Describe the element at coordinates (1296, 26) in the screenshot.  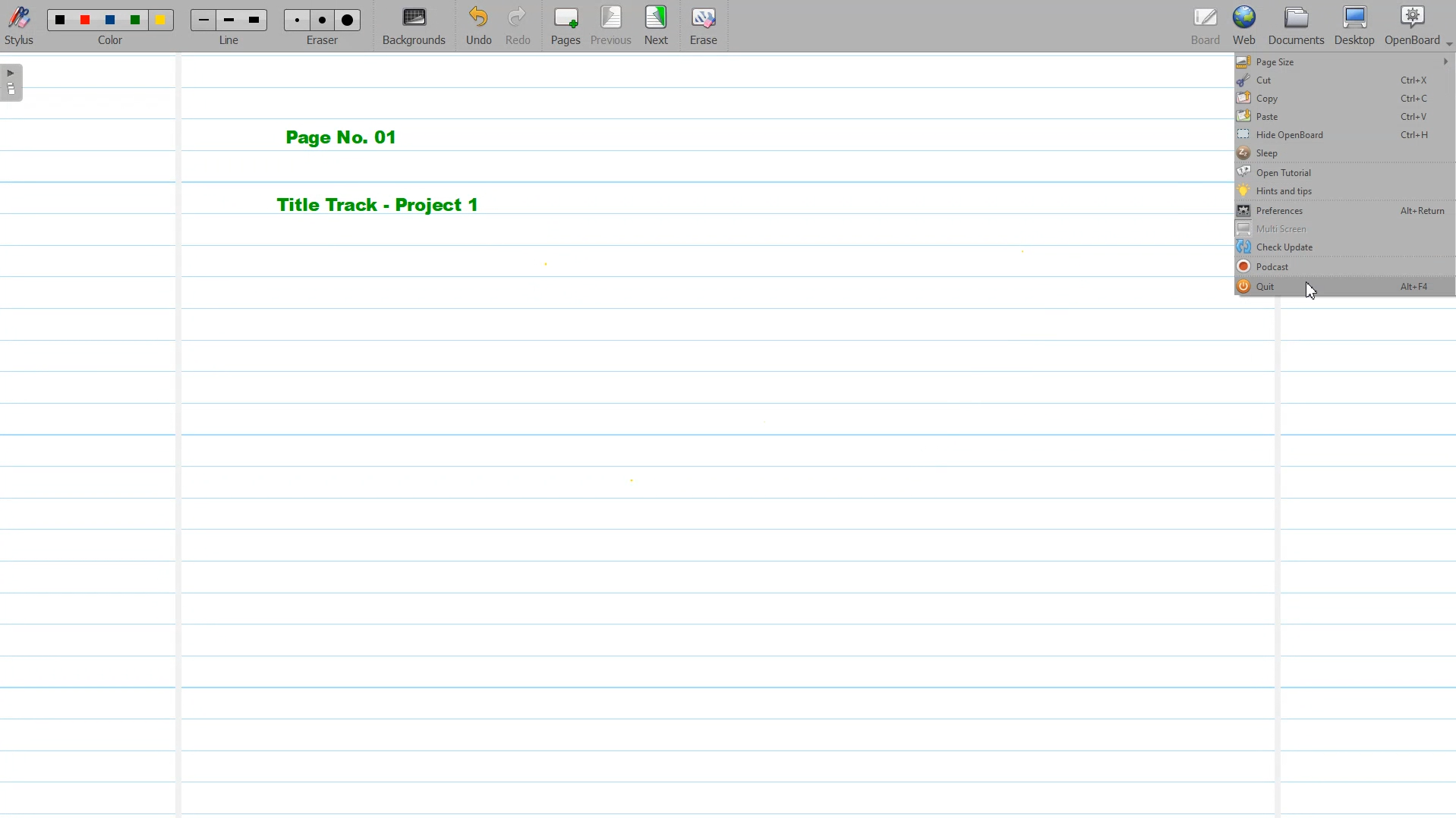
I see `Documents` at that location.